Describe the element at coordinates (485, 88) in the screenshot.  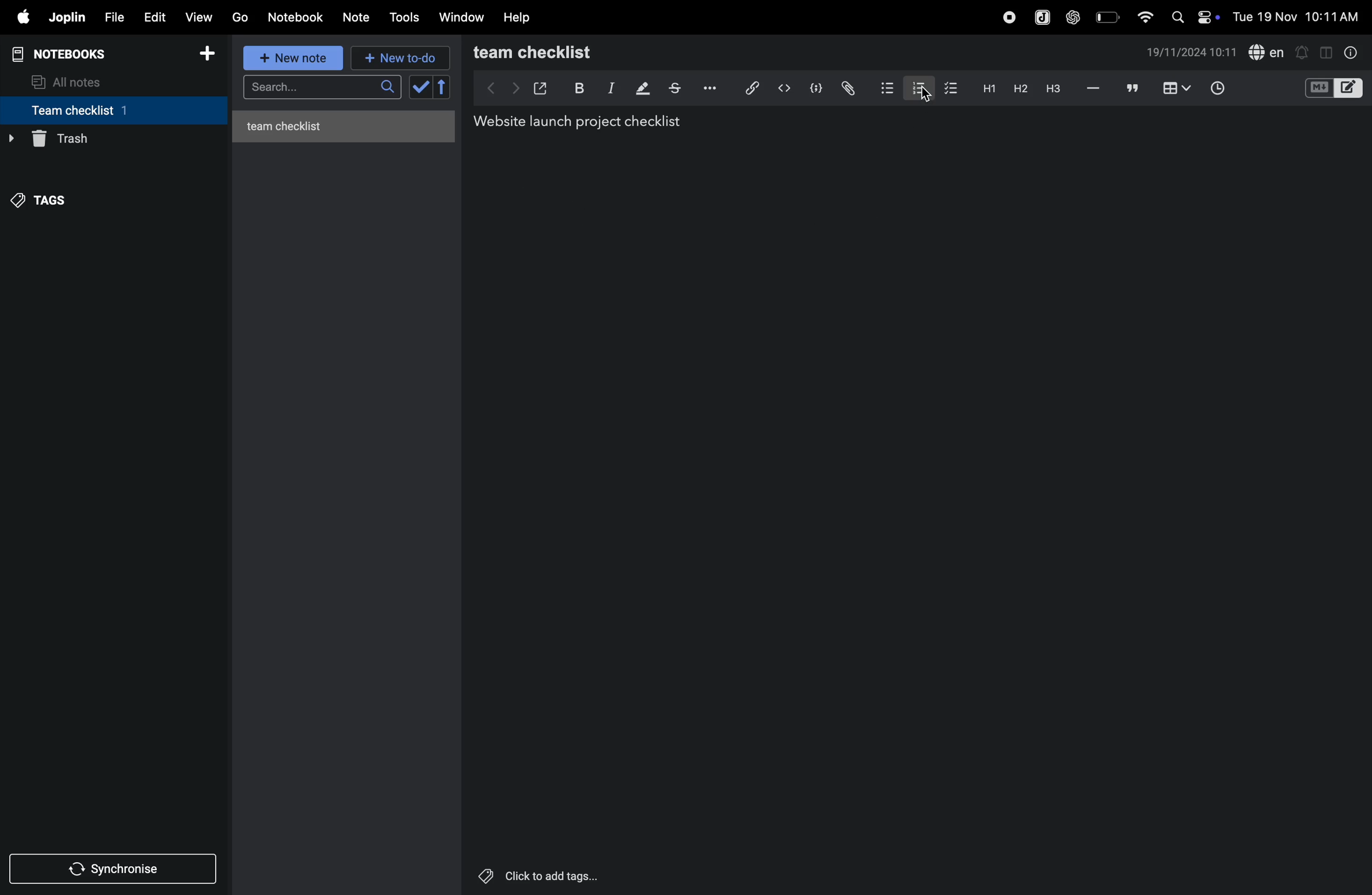
I see `backward` at that location.